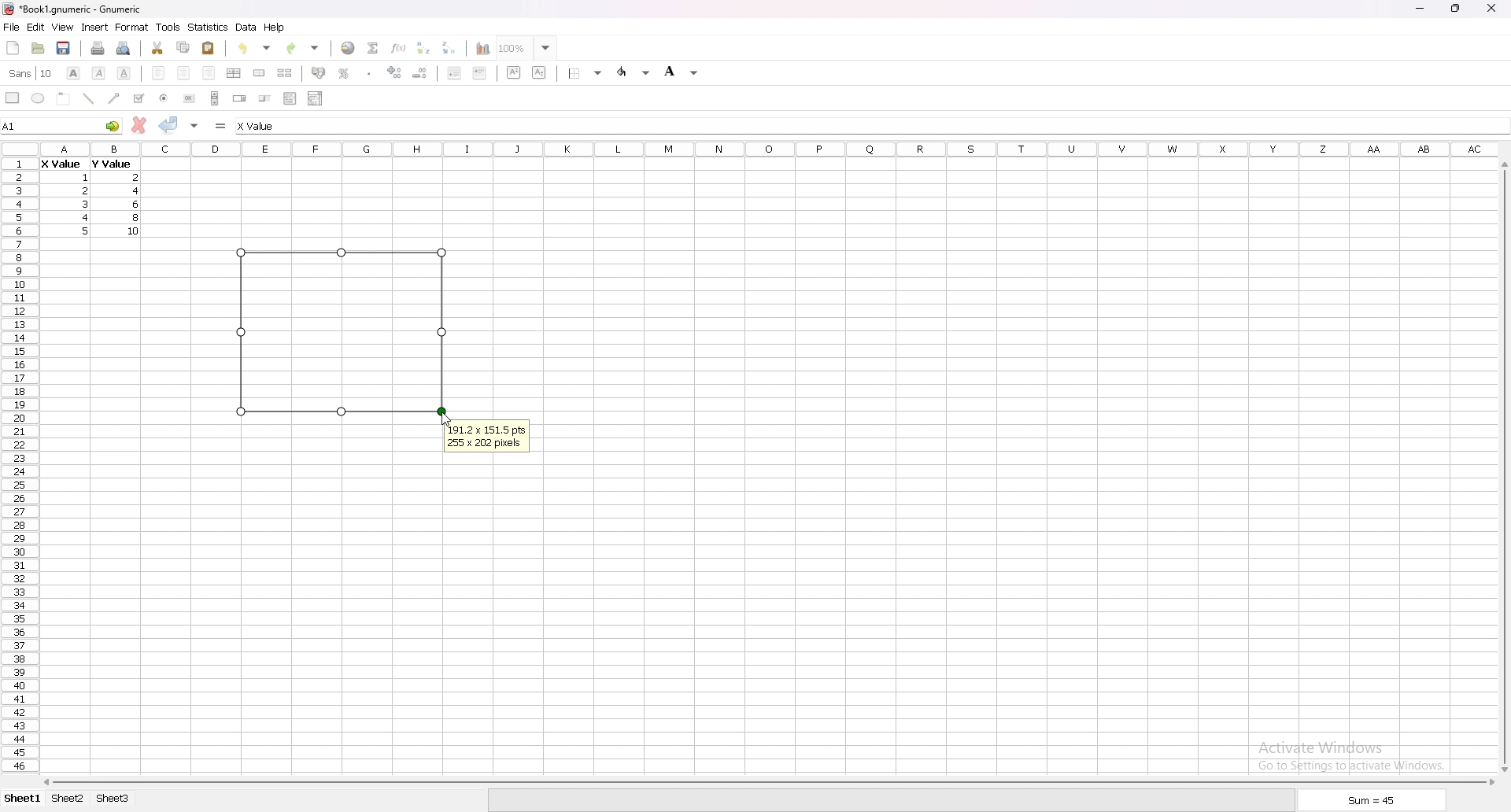 The image size is (1511, 812). Describe the element at coordinates (423, 47) in the screenshot. I see `sort ascending` at that location.